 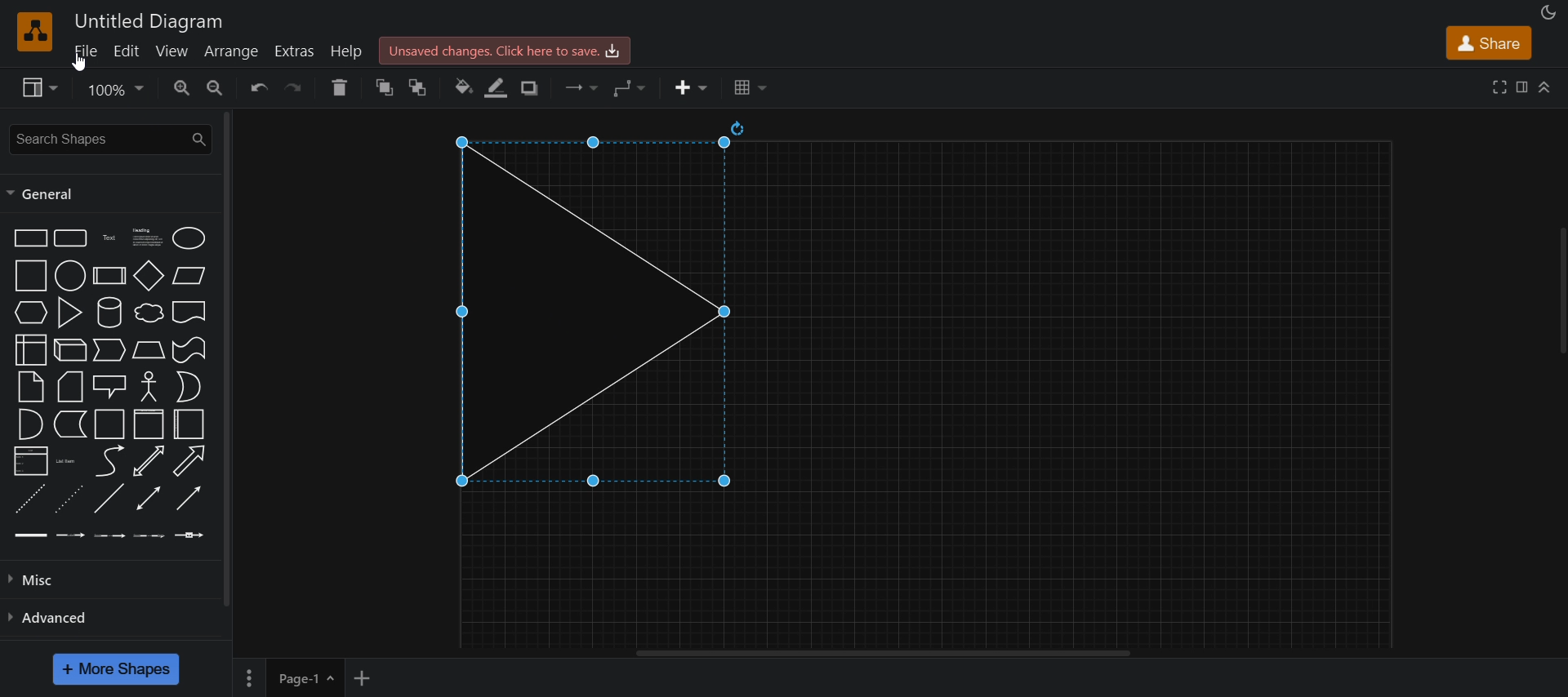 What do you see at coordinates (689, 89) in the screenshot?
I see `insert` at bounding box center [689, 89].